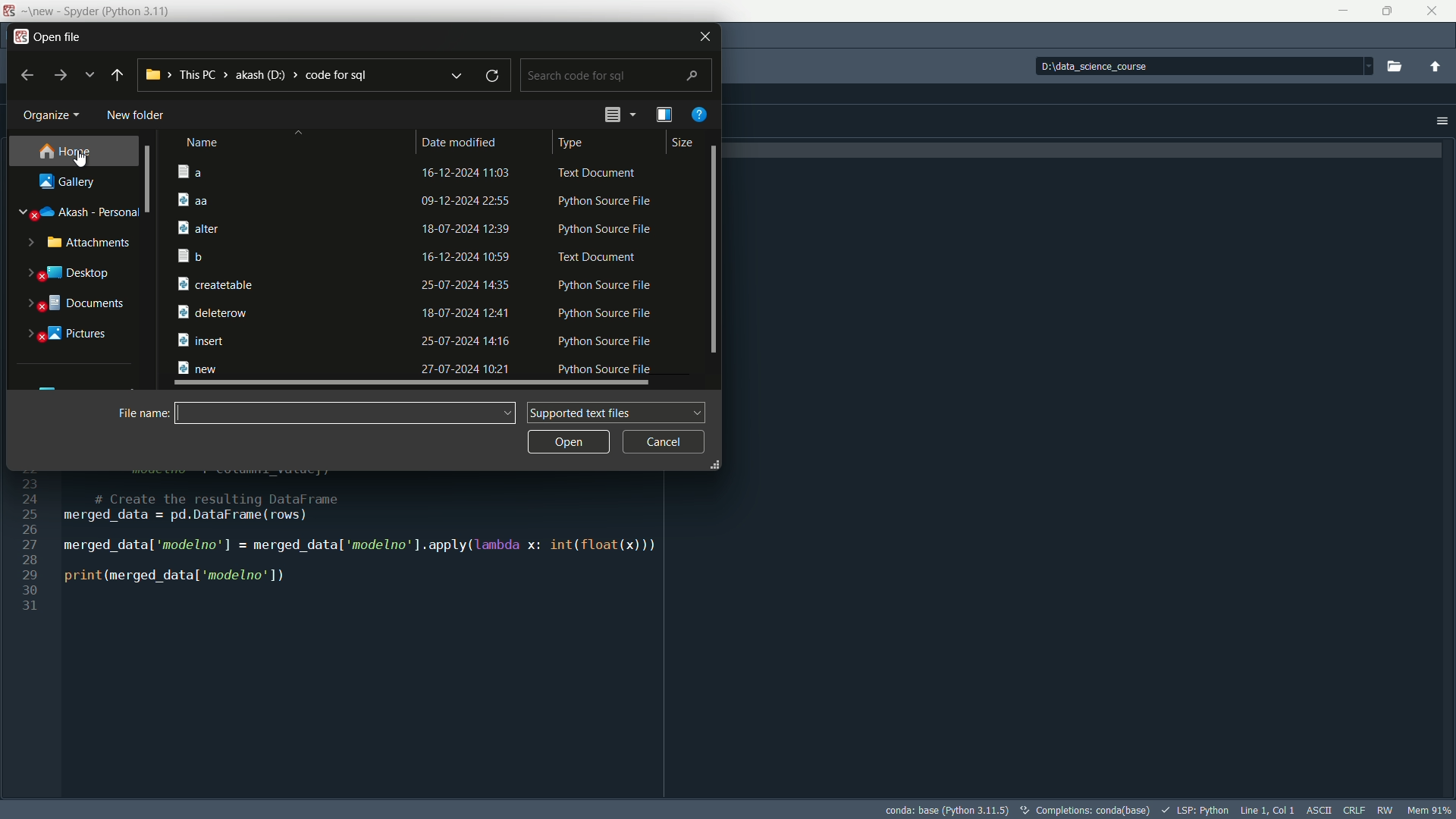 Image resolution: width=1456 pixels, height=819 pixels. Describe the element at coordinates (684, 144) in the screenshot. I see `size` at that location.